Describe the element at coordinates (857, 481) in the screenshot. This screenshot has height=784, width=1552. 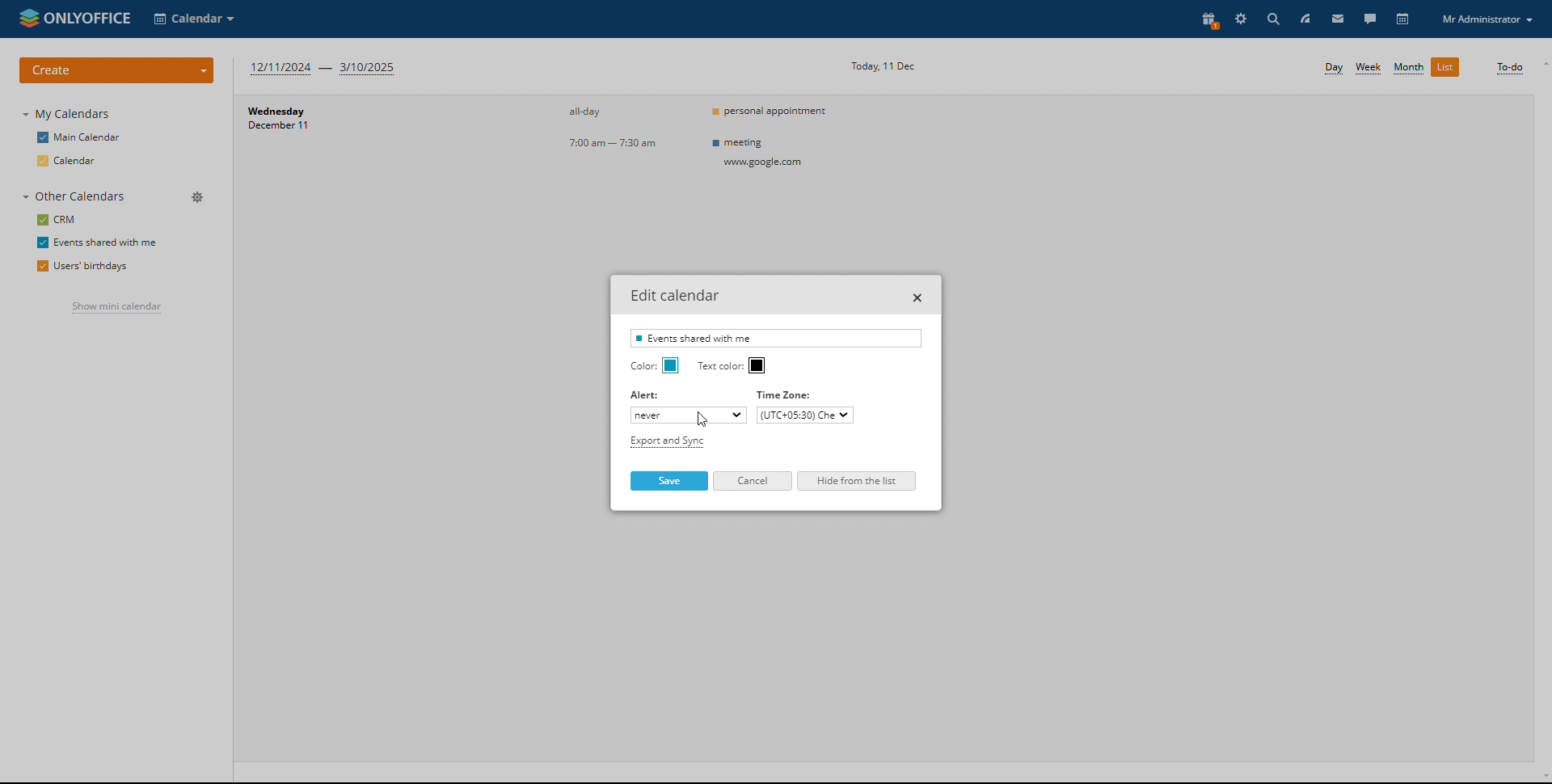
I see `hide from the list` at that location.